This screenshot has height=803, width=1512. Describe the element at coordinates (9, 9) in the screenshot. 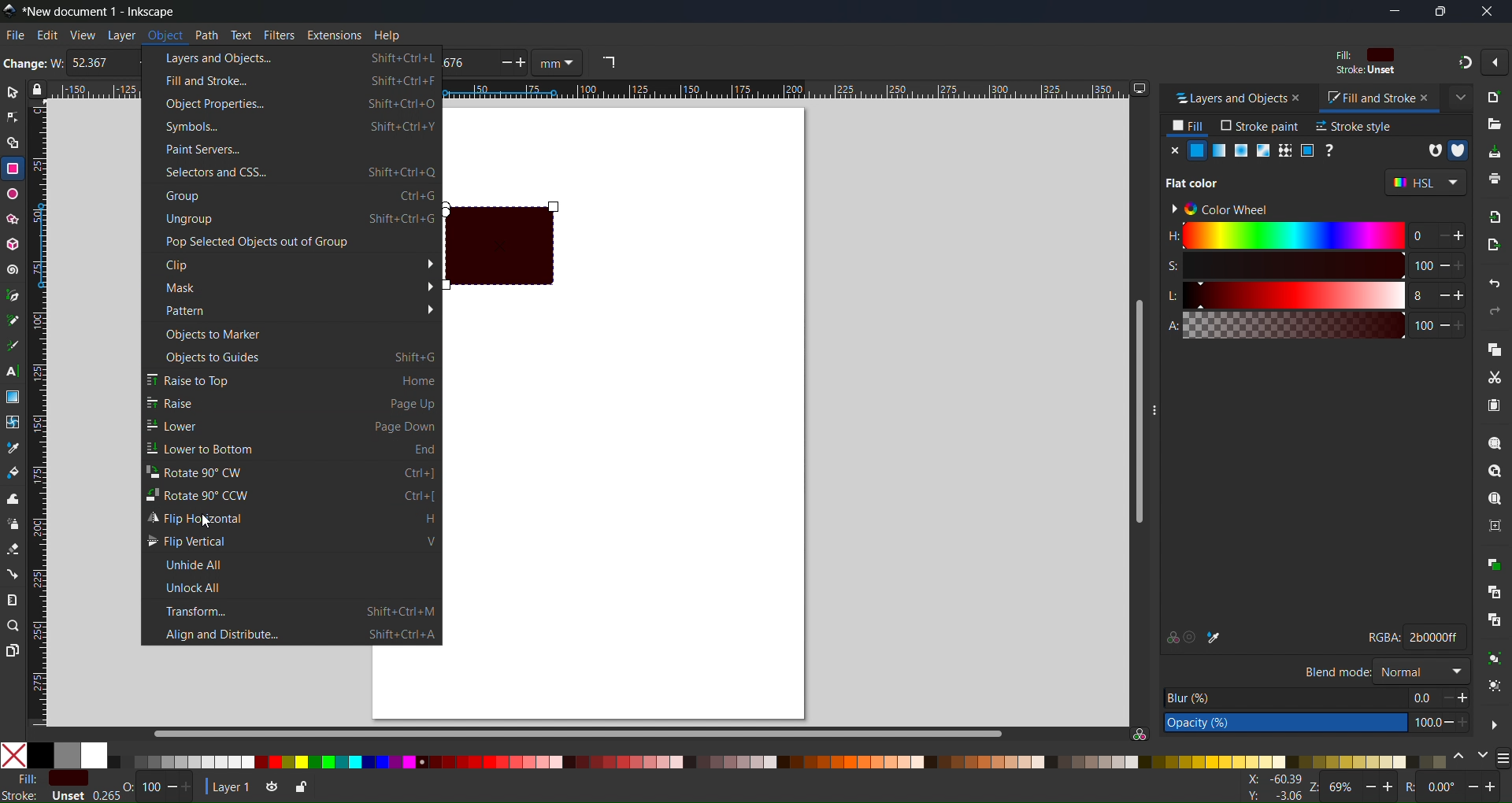

I see `inspace Logo` at that location.